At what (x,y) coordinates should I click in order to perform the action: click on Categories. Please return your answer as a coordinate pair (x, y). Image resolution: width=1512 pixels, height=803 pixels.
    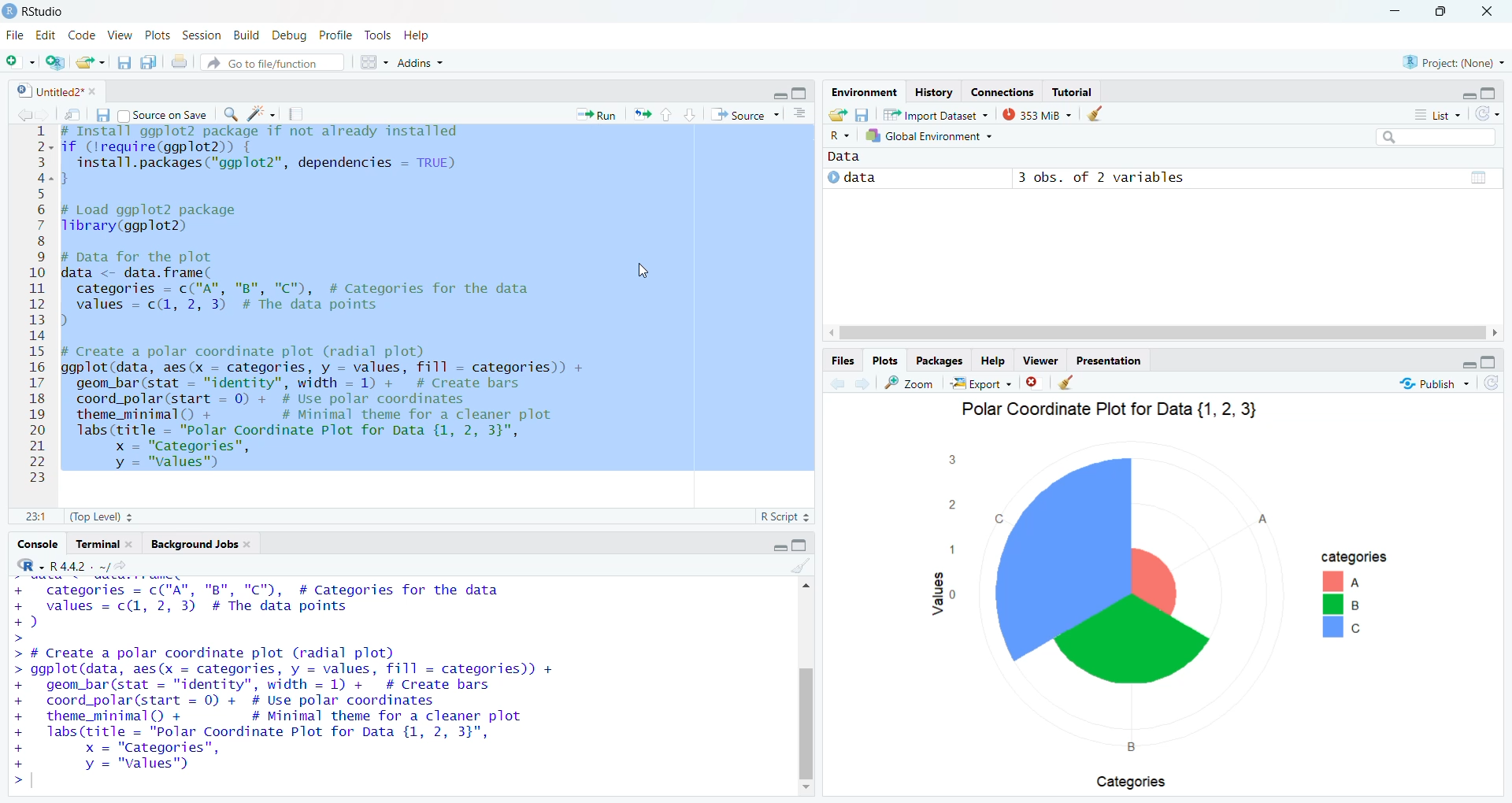
    Looking at the image, I should click on (1125, 787).